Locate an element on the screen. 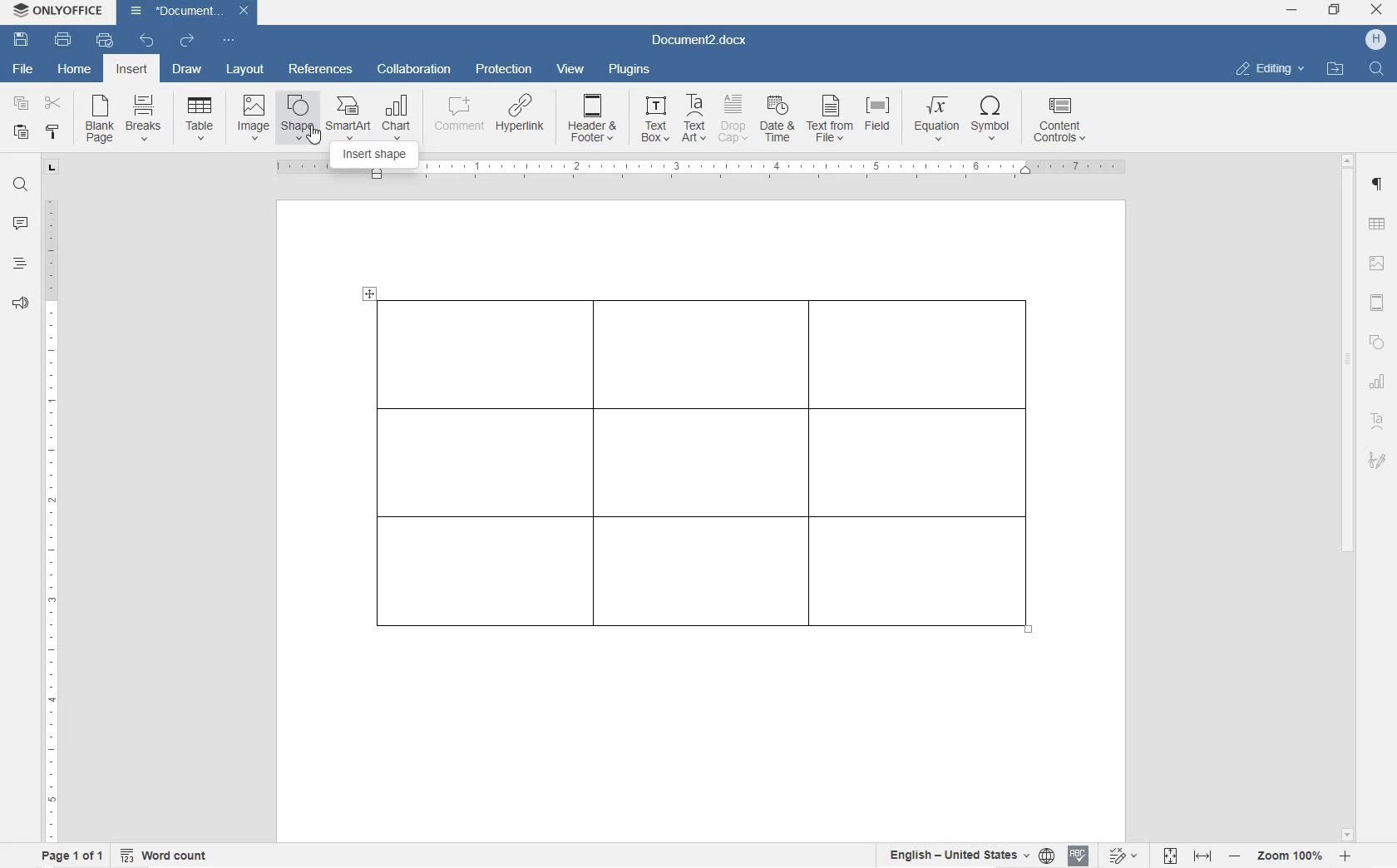  paragraph settings is located at coordinates (1378, 185).